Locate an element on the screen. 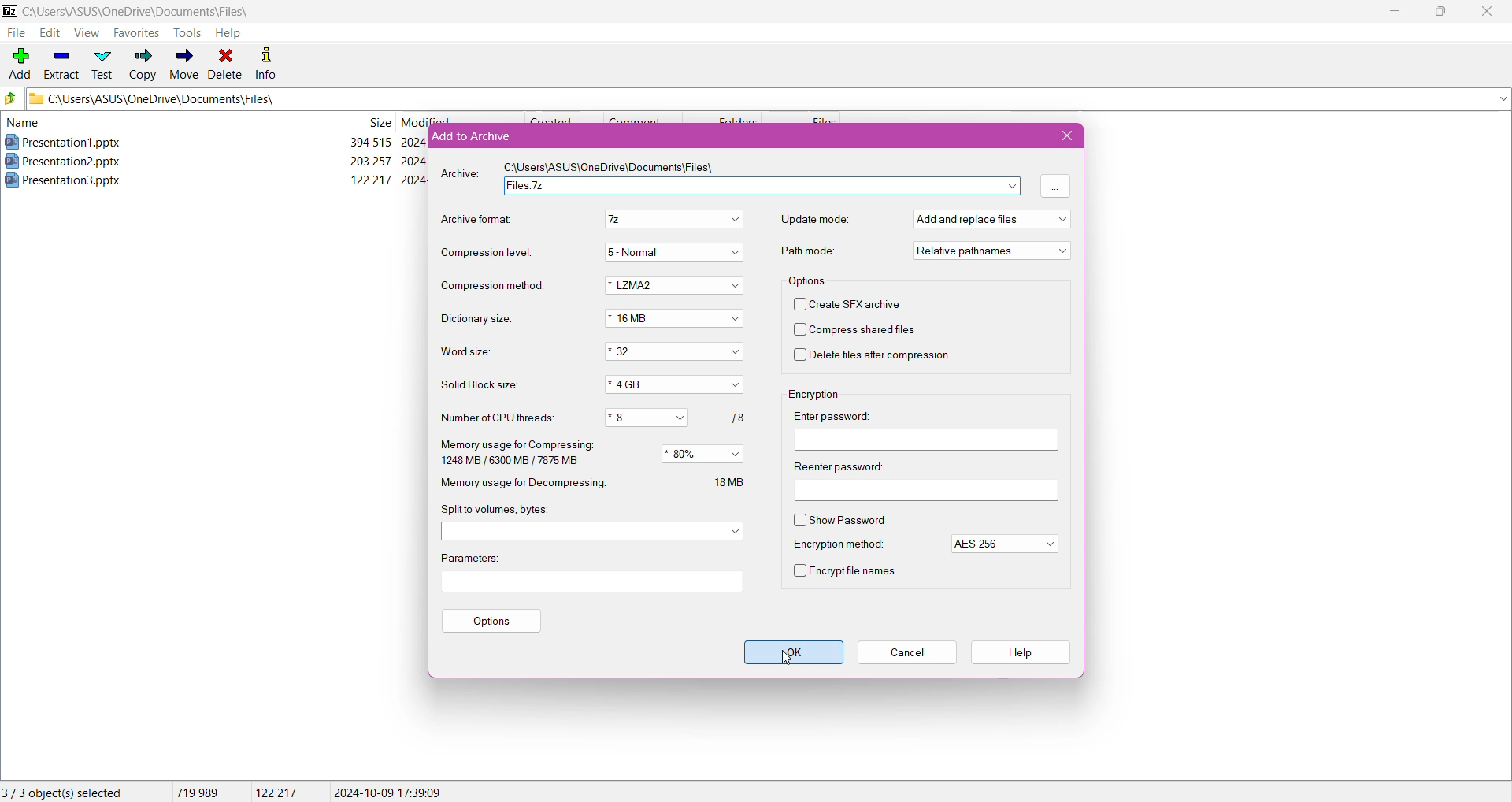 Image resolution: width=1512 pixels, height=802 pixels. C:\Users\ASUS\OneDrive\Documents\Files\ is located at coordinates (150, 12).